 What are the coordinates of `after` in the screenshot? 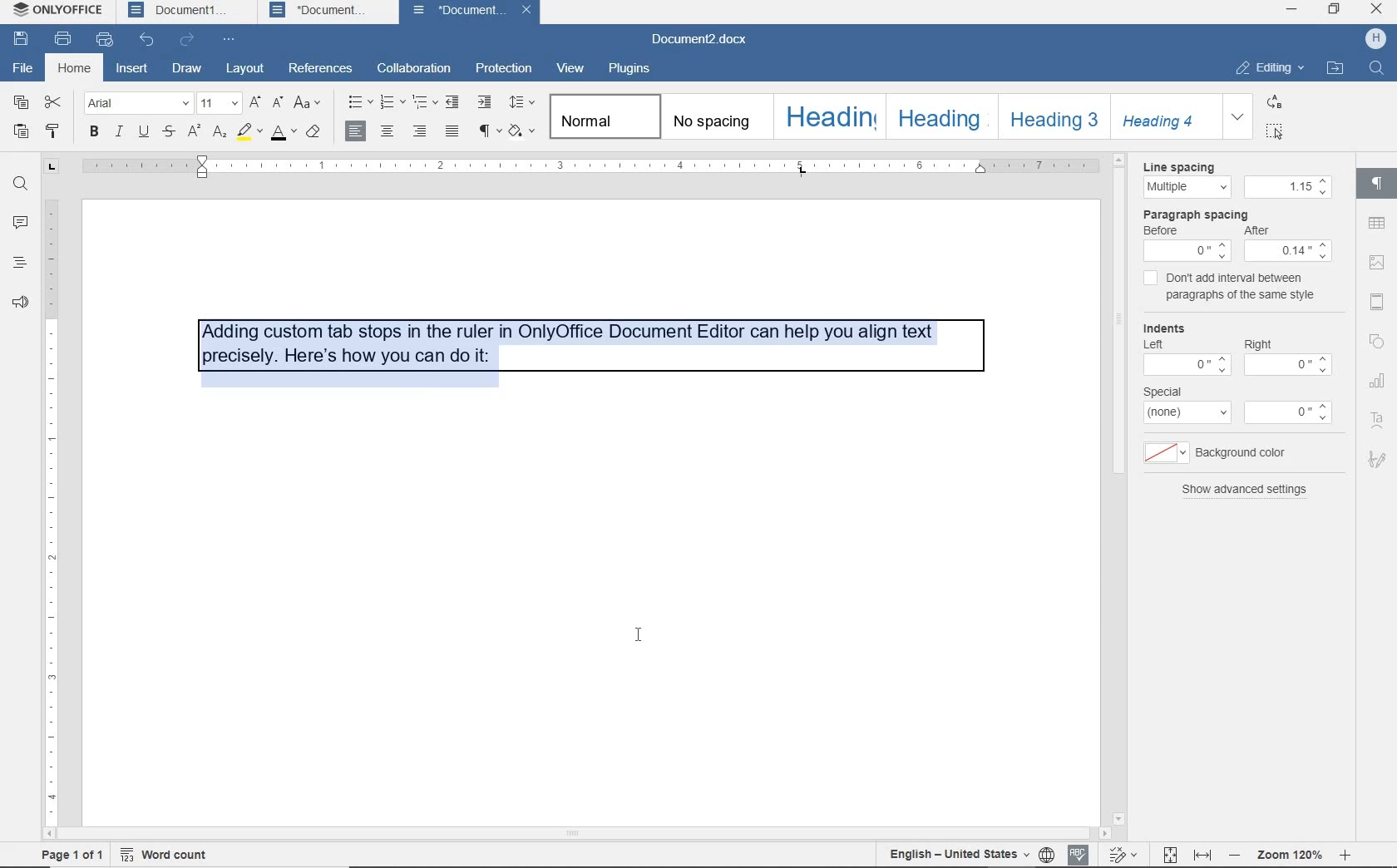 It's located at (1266, 229).